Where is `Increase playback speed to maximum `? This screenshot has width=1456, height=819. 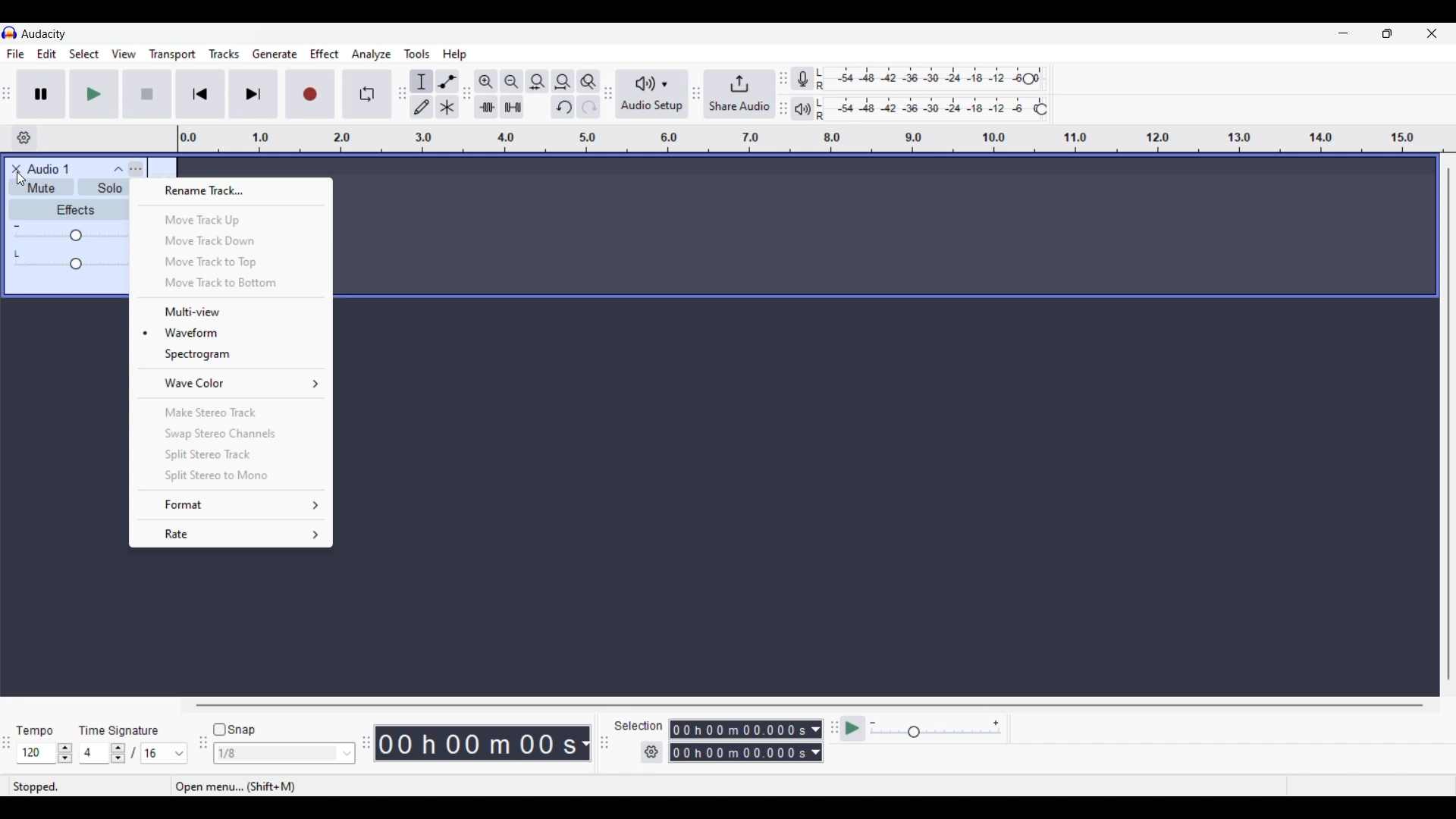 Increase playback speed to maximum  is located at coordinates (996, 723).